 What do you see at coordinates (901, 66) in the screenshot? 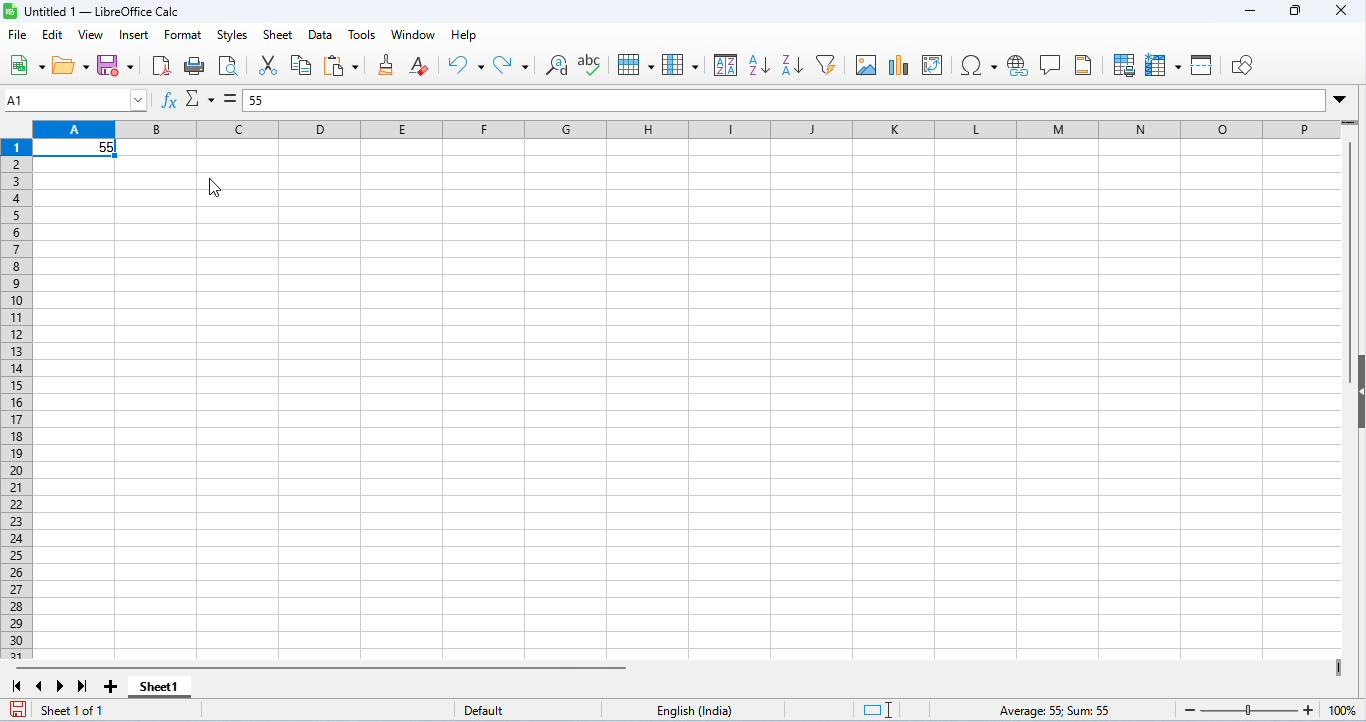
I see `insert chart` at bounding box center [901, 66].